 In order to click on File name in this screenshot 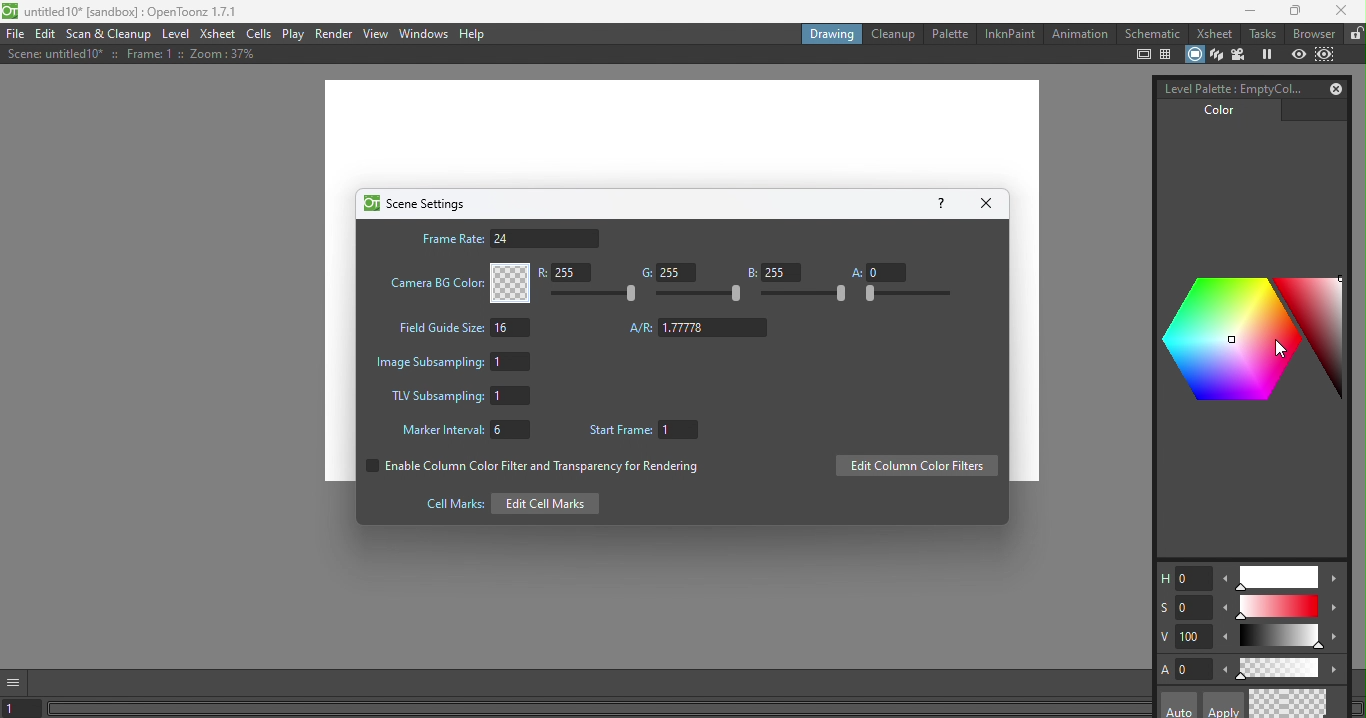, I will do `click(124, 13)`.